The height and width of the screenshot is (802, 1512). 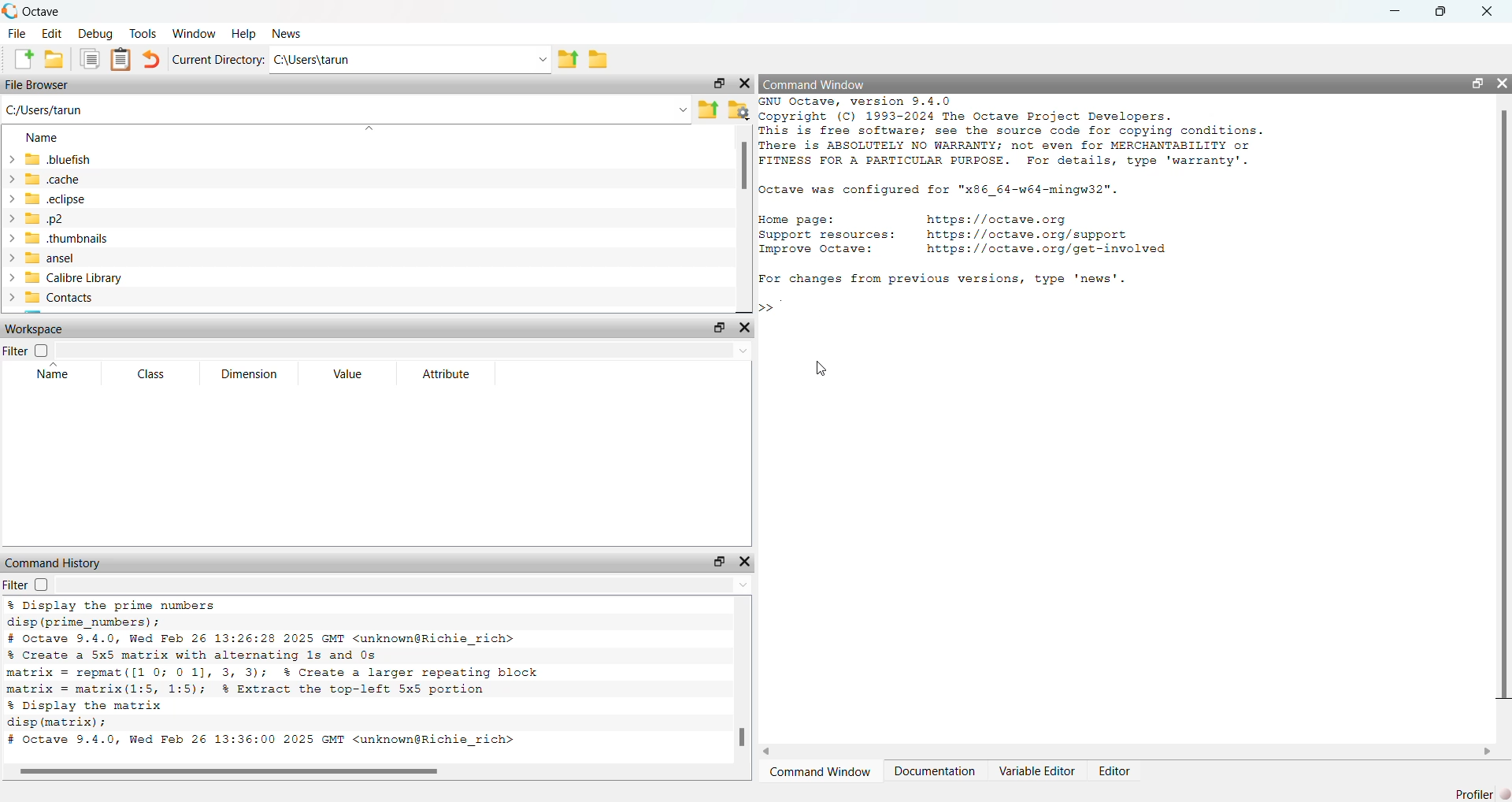 I want to click on dimension, so click(x=253, y=374).